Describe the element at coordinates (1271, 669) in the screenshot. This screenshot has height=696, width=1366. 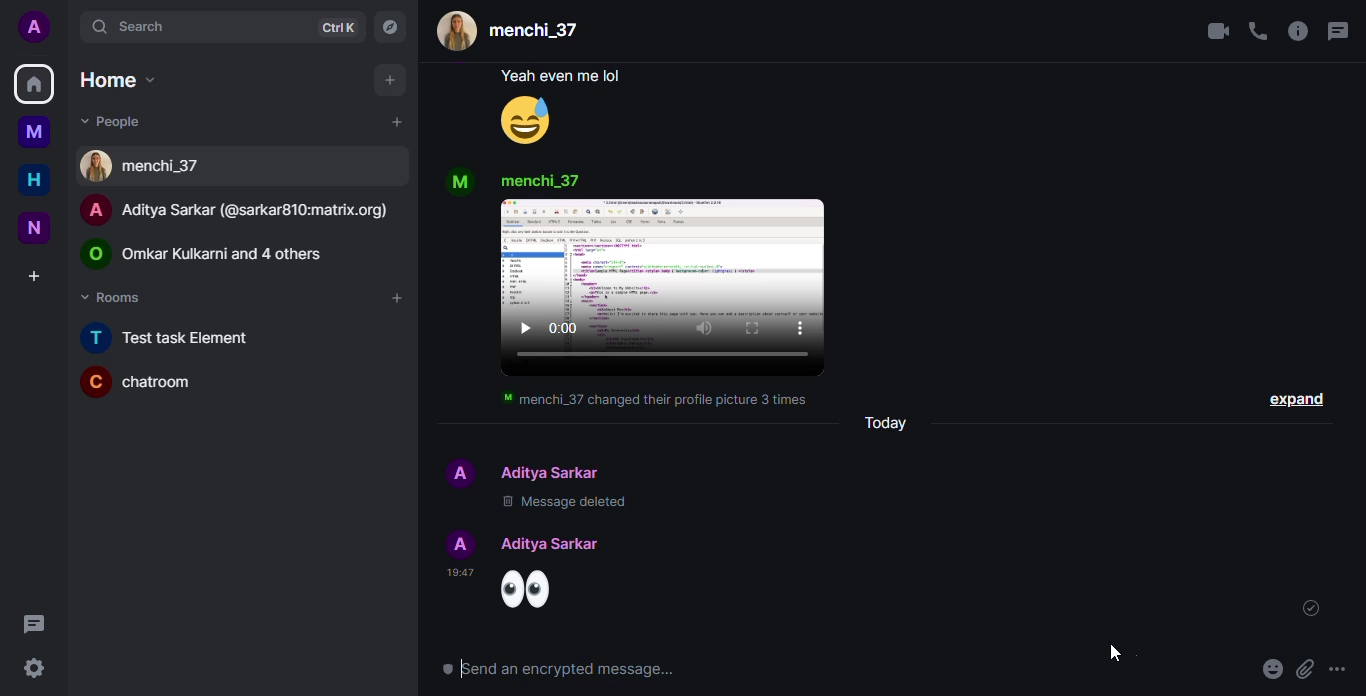
I see `emoji` at that location.